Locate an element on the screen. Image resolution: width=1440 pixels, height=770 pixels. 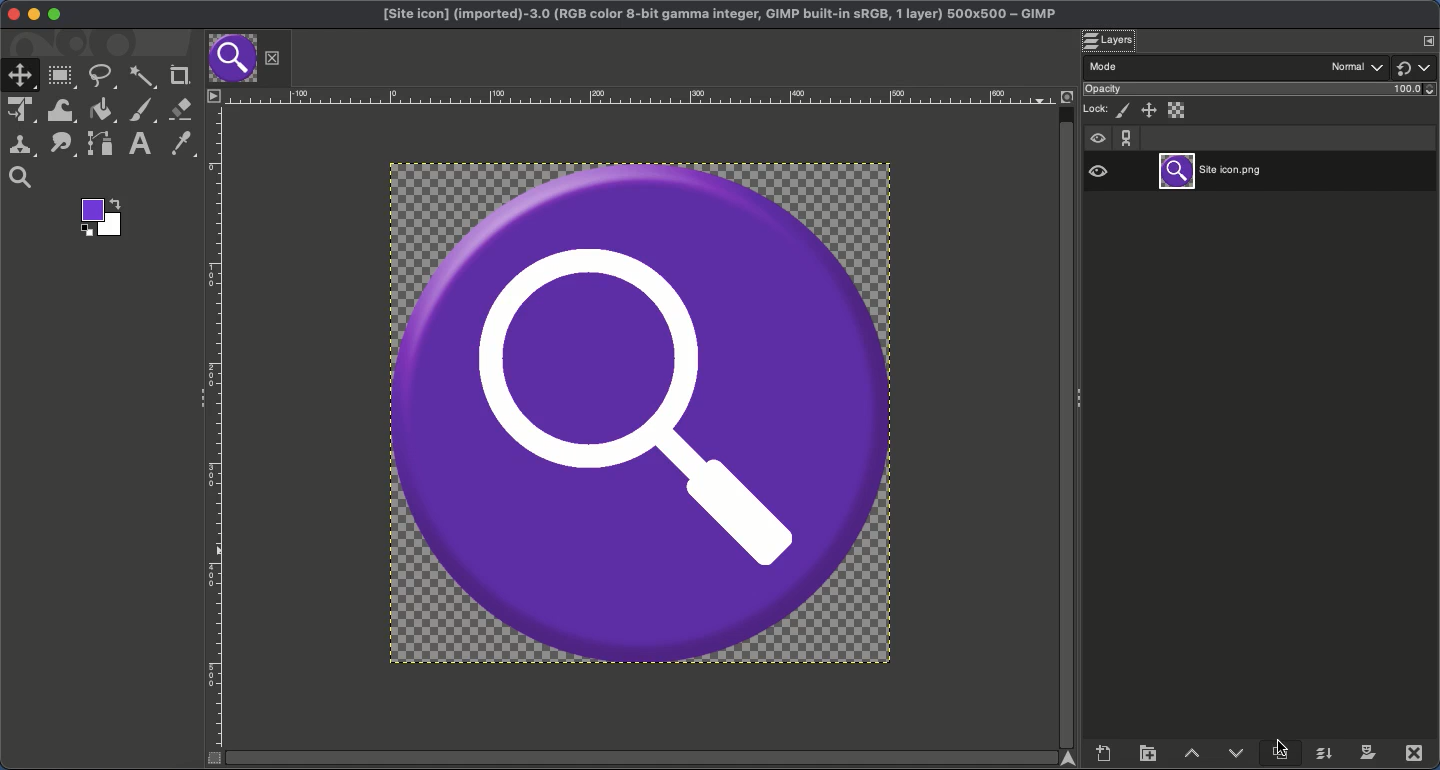
Color picker is located at coordinates (183, 144).